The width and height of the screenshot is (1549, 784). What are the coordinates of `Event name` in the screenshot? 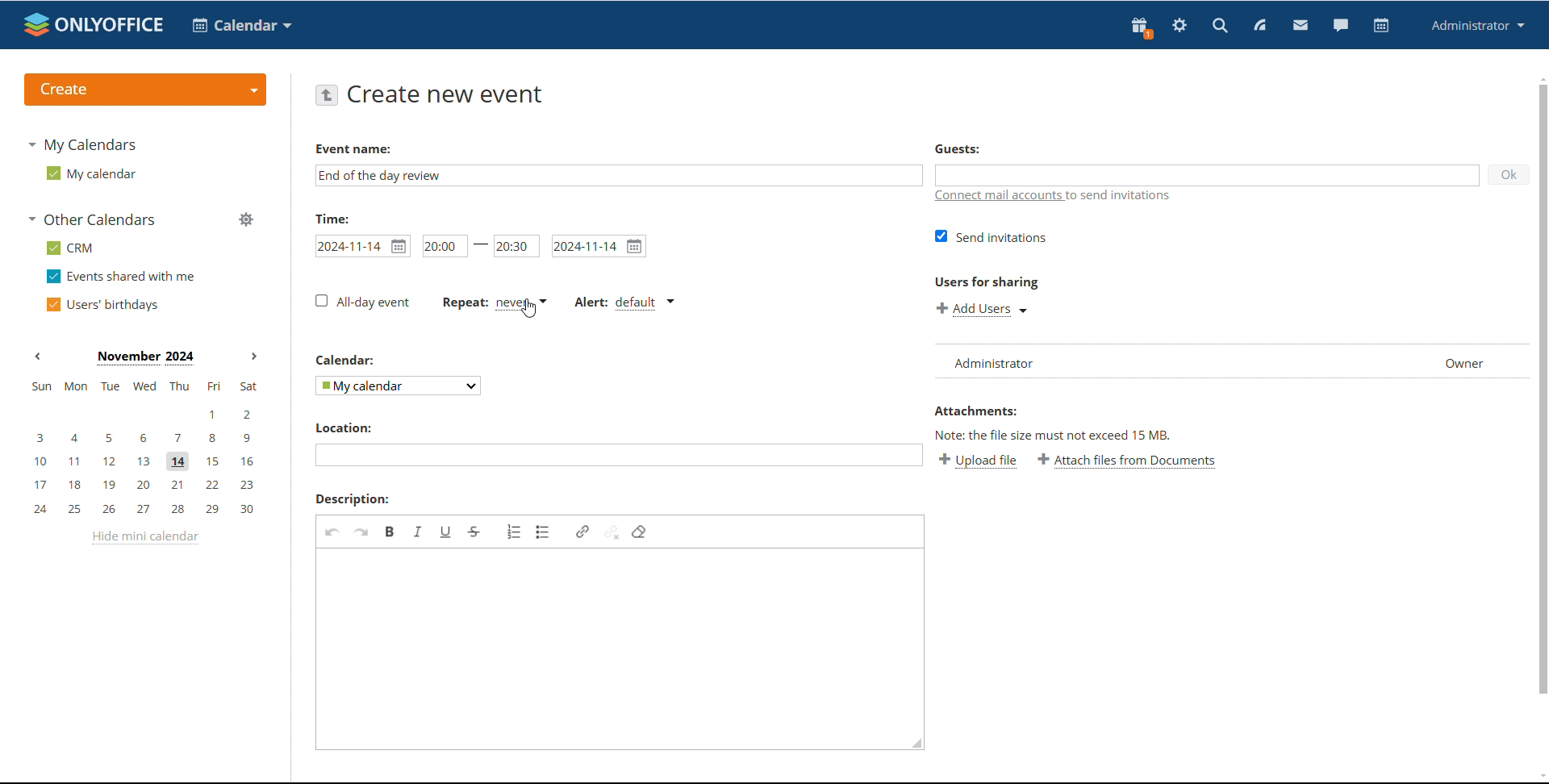 It's located at (353, 149).